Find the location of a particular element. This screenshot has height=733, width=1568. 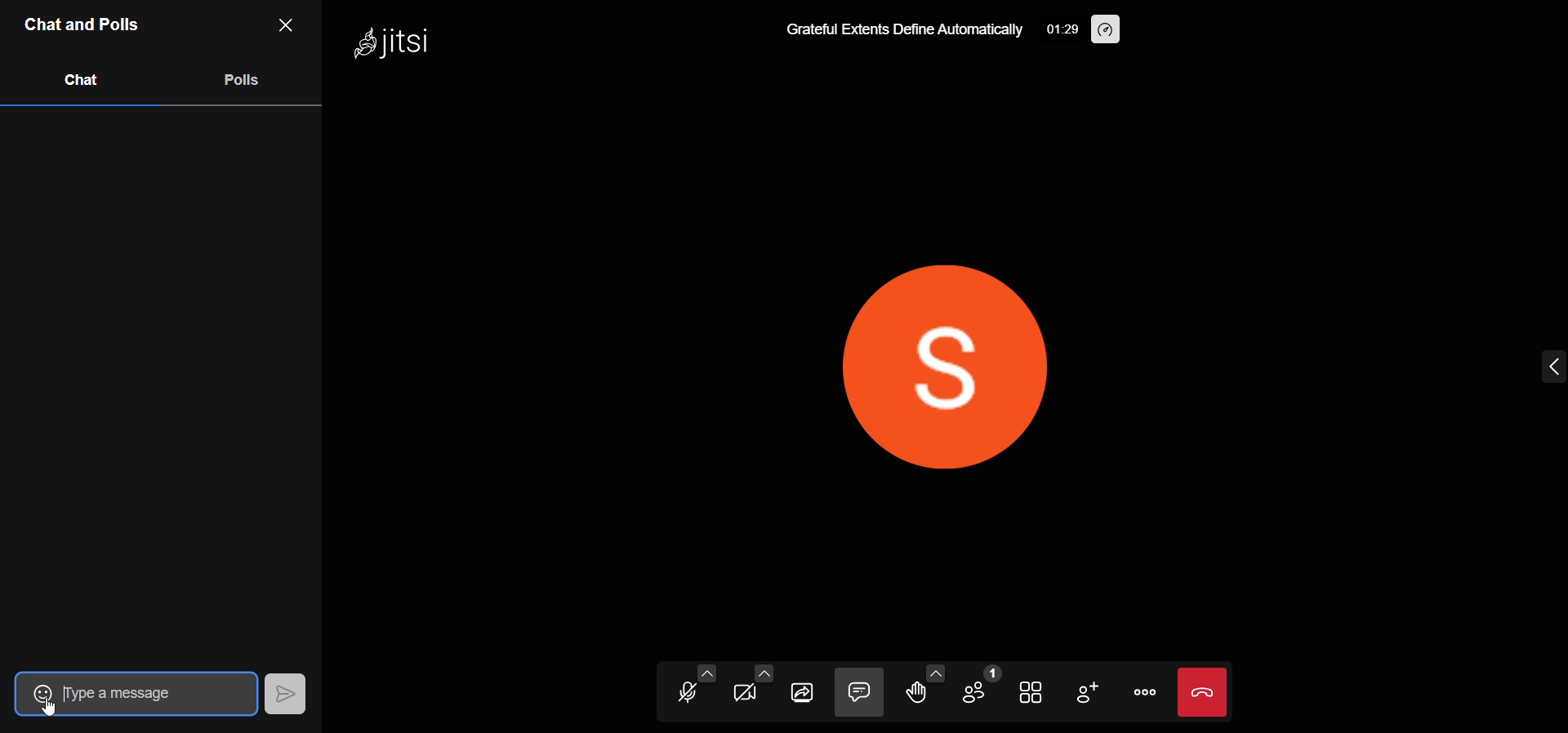

screen share is located at coordinates (804, 691).